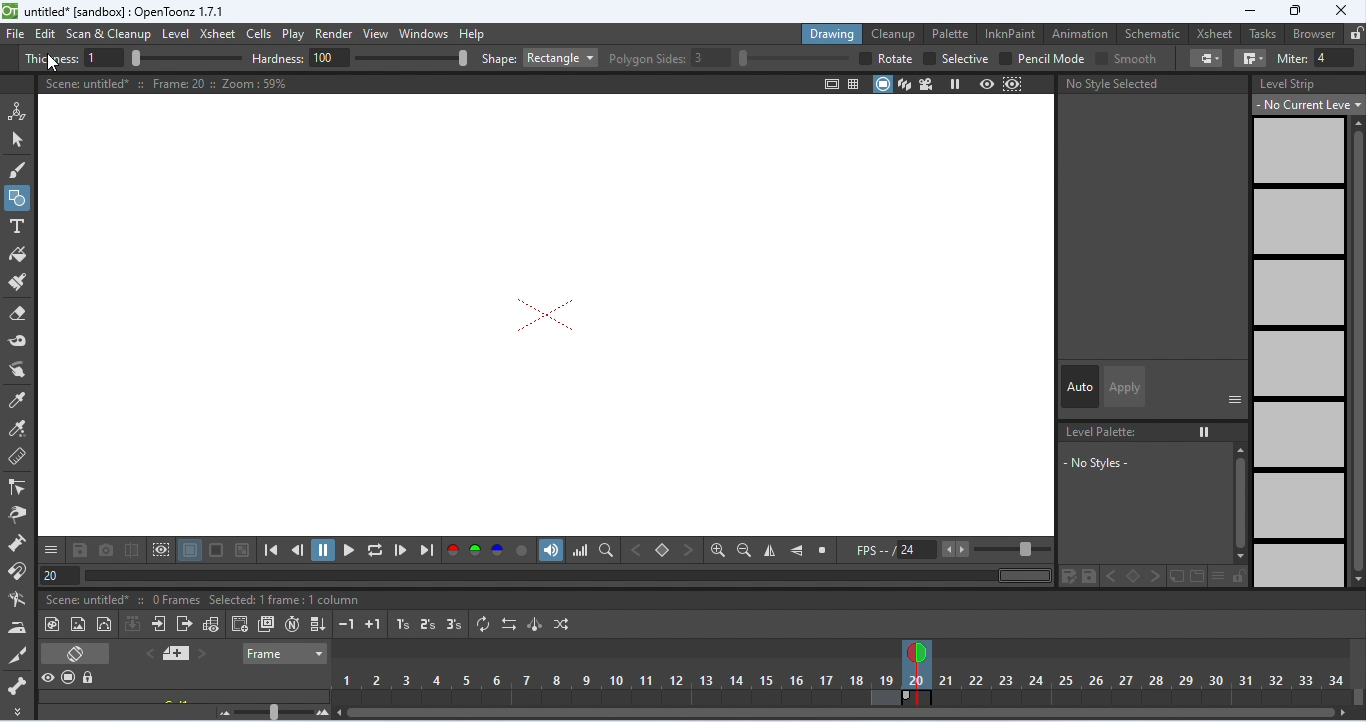  I want to click on color change in new style, so click(1175, 577).